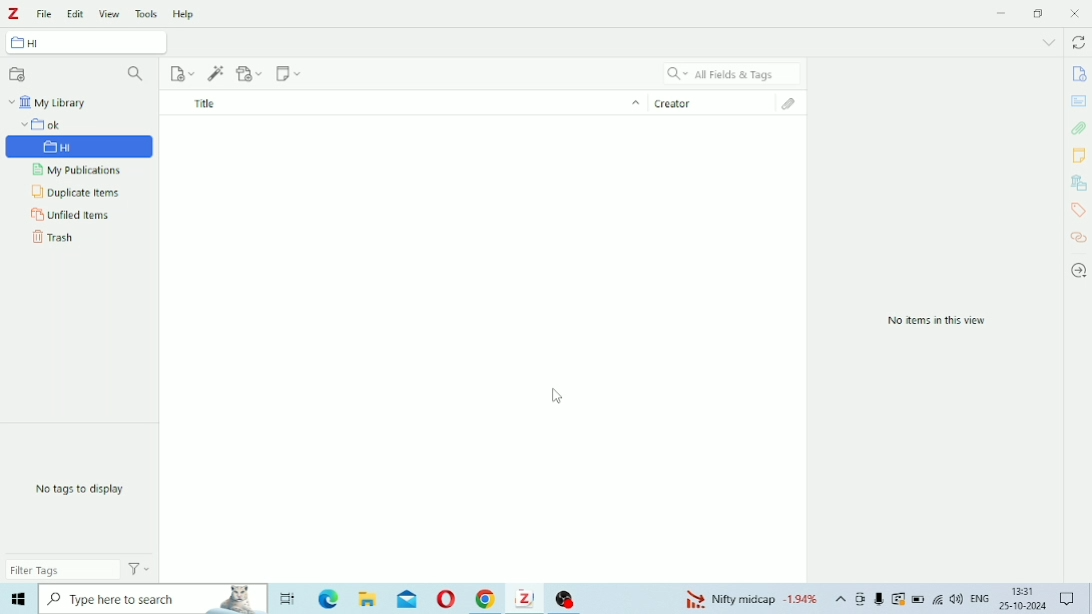  I want to click on ok, so click(80, 124).